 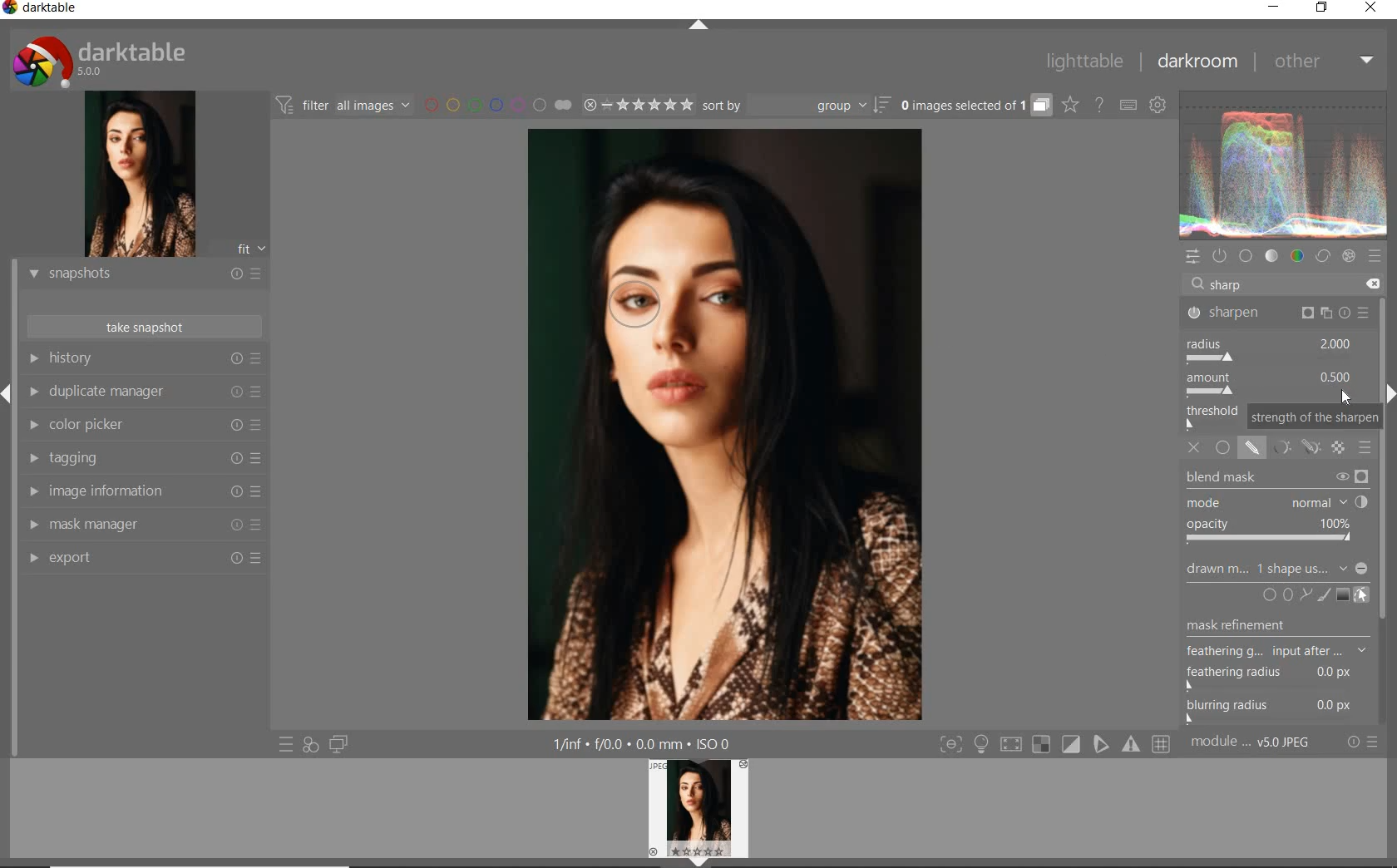 I want to click on display a second darkroom image window, so click(x=339, y=743).